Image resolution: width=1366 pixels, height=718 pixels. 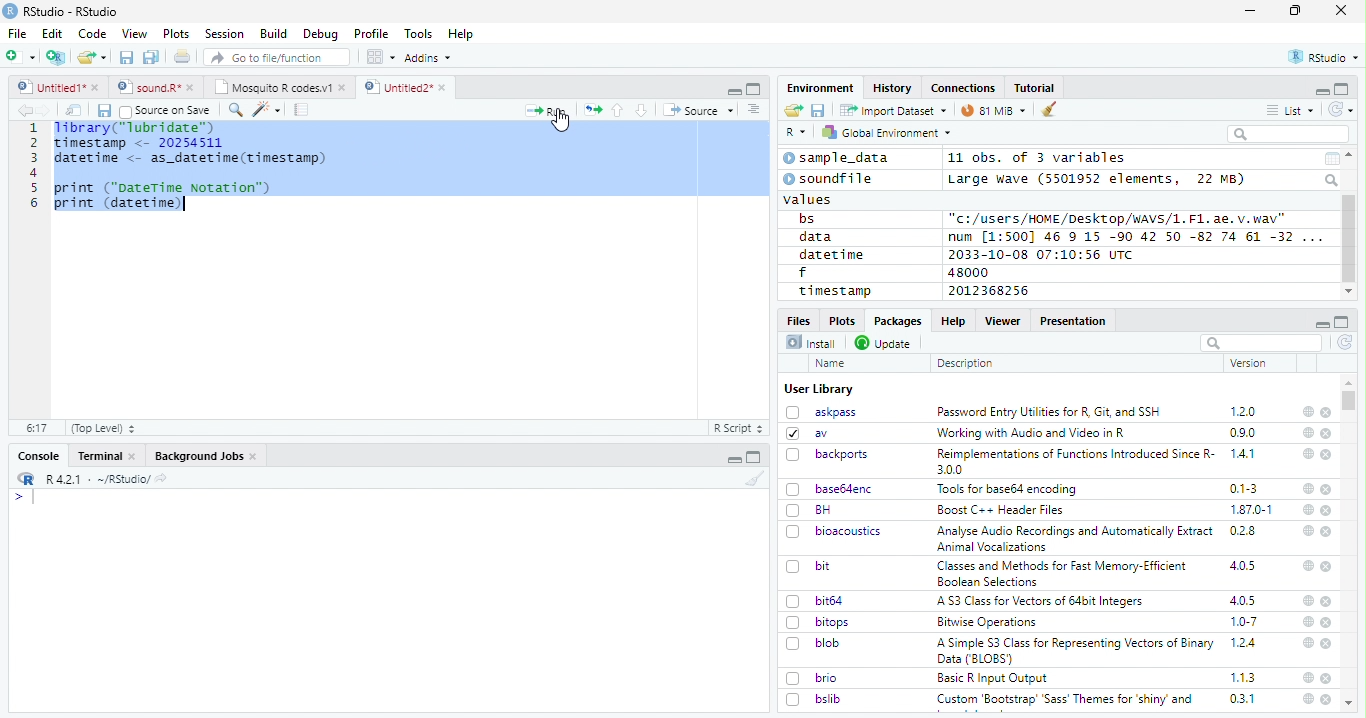 What do you see at coordinates (1247, 488) in the screenshot?
I see `0.1-3` at bounding box center [1247, 488].